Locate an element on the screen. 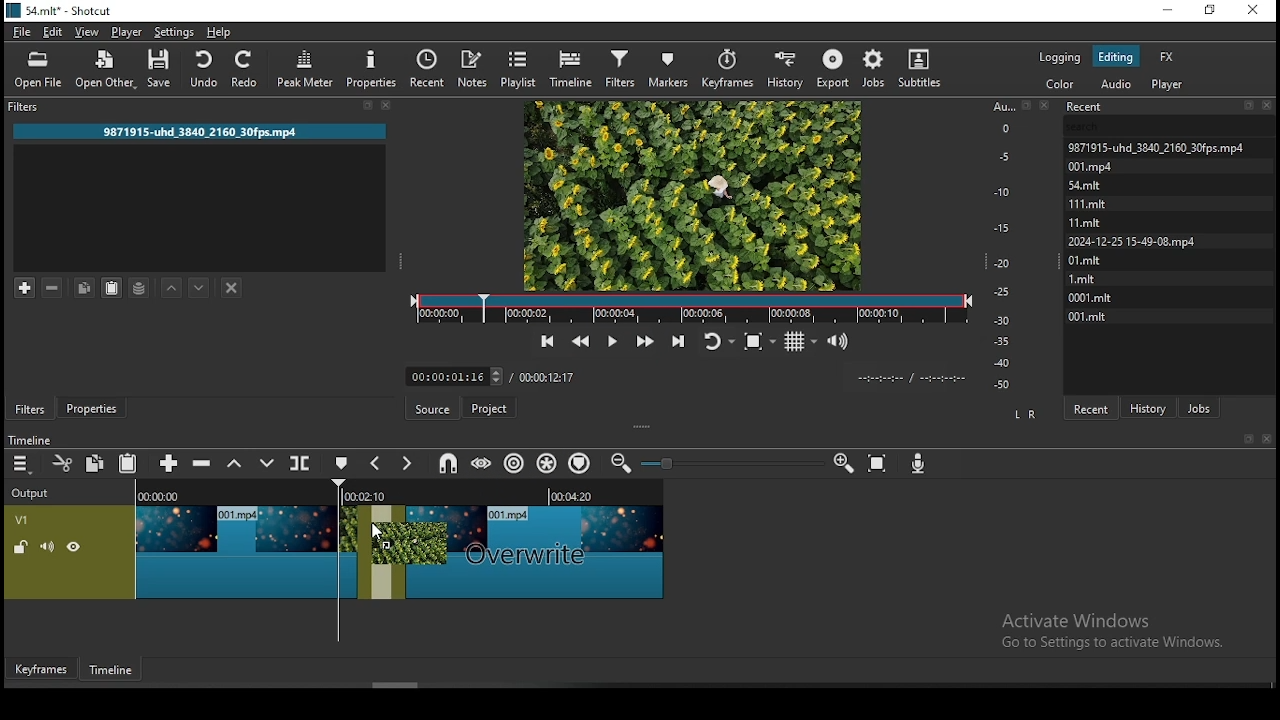 This screenshot has height=720, width=1280. zoom timeline out is located at coordinates (842, 464).